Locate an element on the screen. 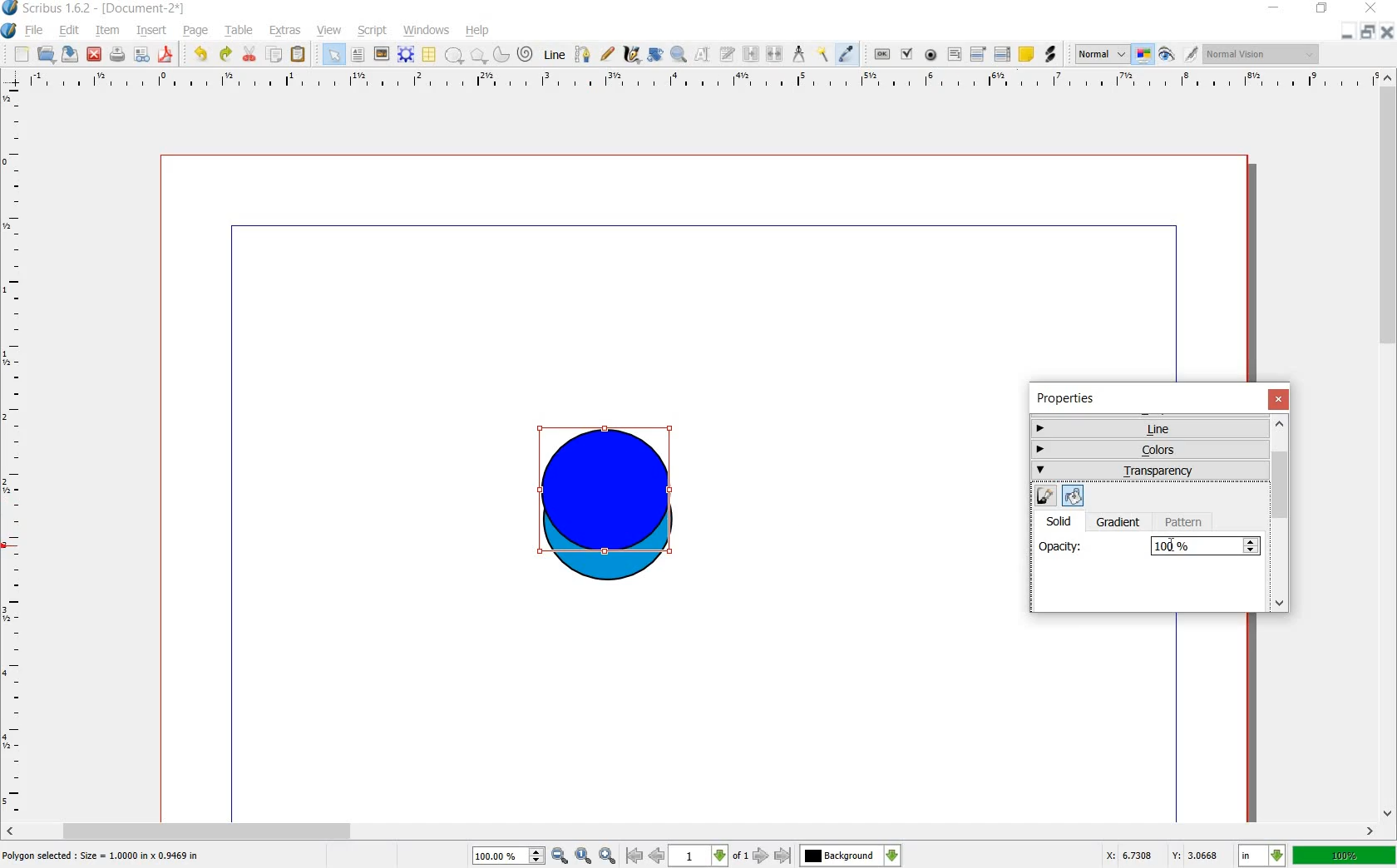  measurement is located at coordinates (800, 55).